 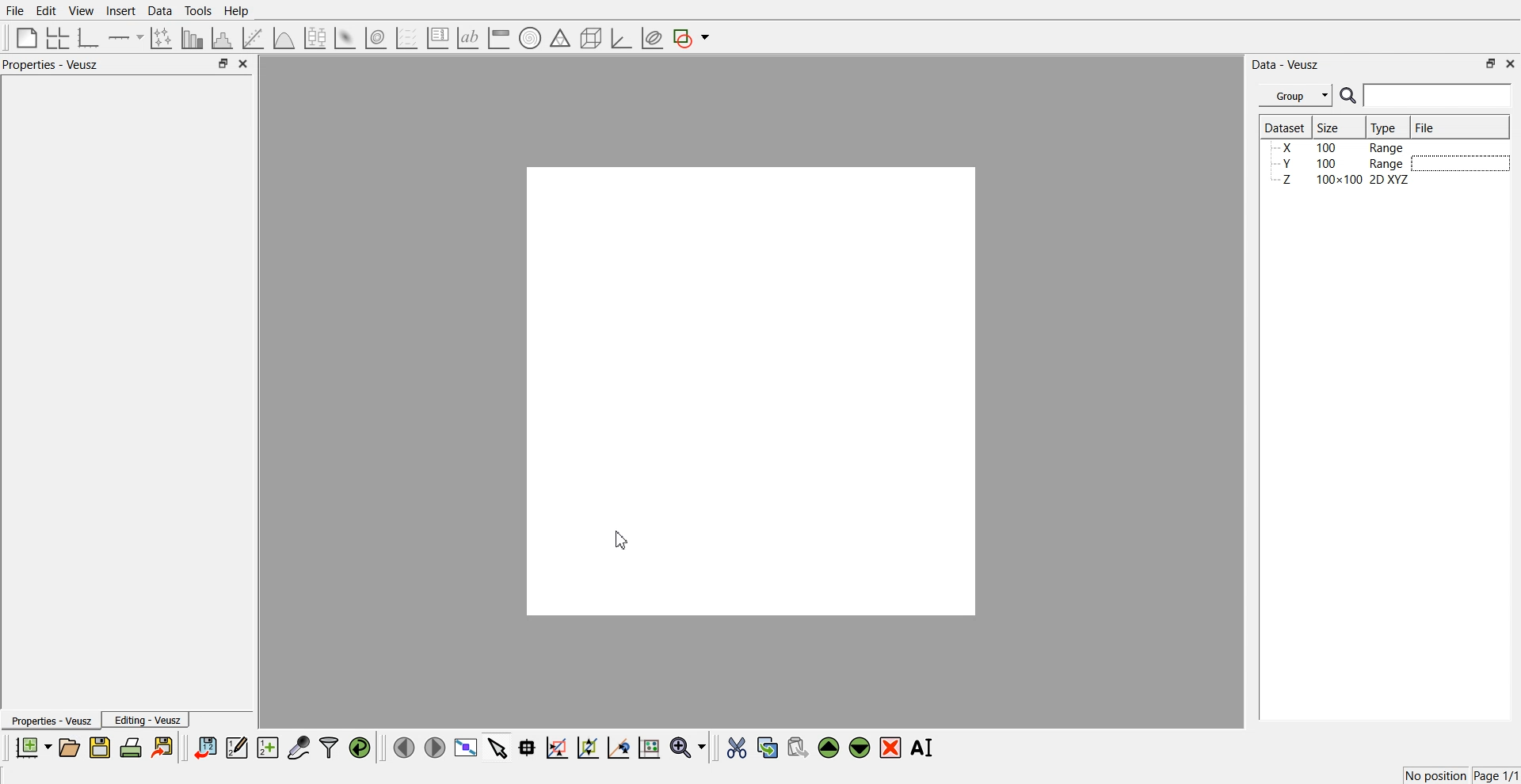 What do you see at coordinates (499, 37) in the screenshot?
I see `Image color bar` at bounding box center [499, 37].